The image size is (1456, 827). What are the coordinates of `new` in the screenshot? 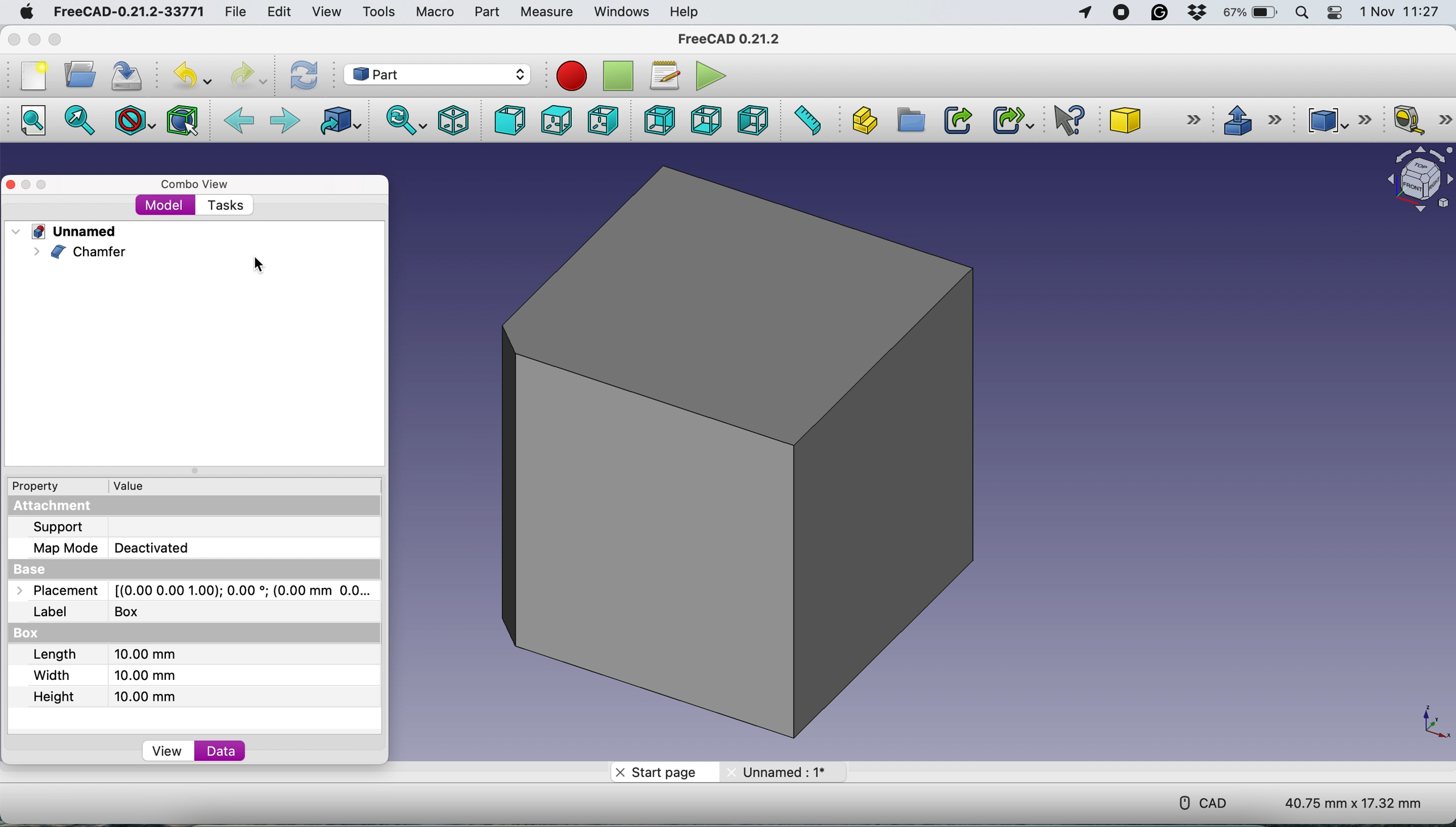 It's located at (35, 77).